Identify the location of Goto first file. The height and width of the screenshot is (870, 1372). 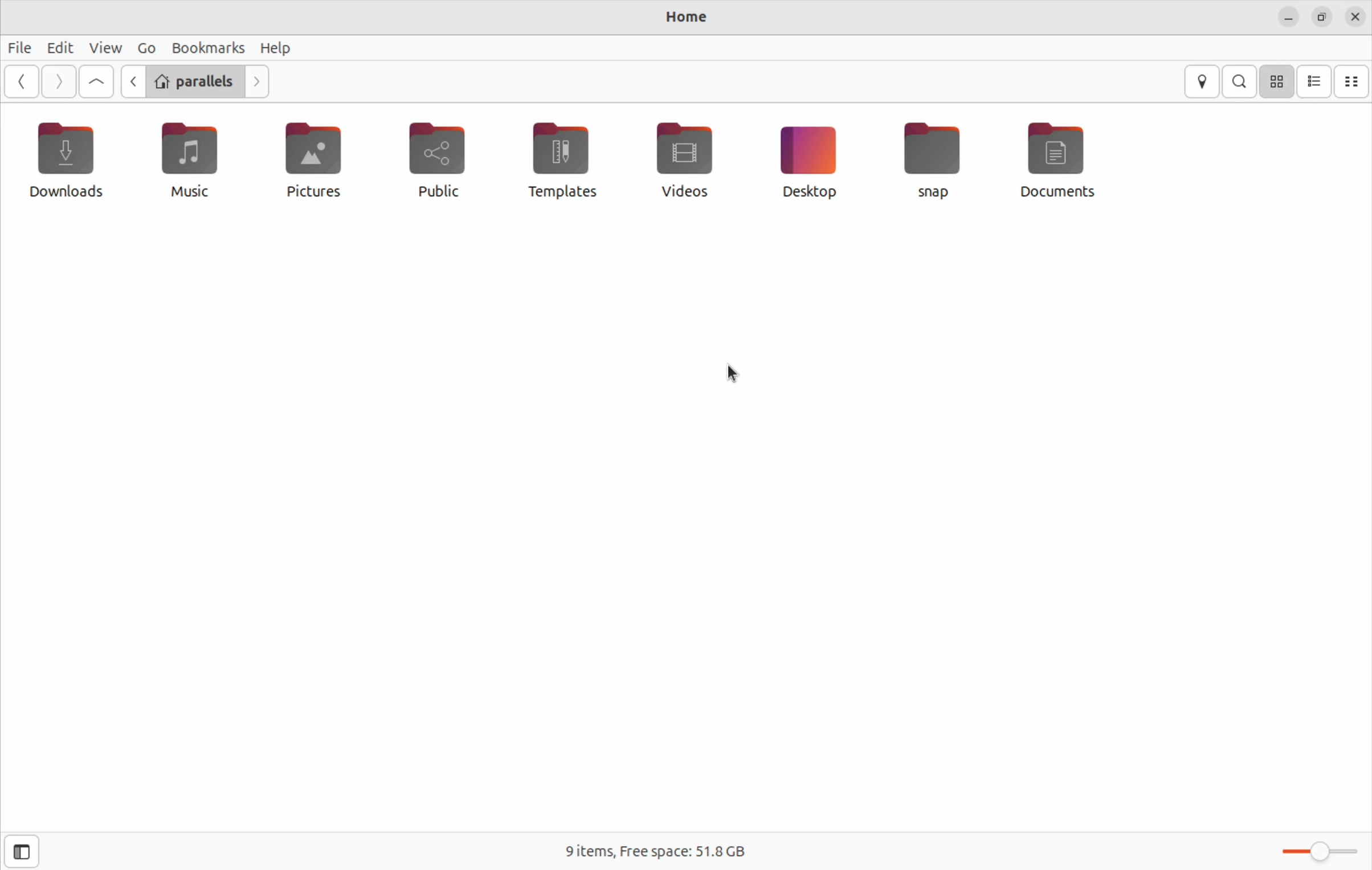
(96, 81).